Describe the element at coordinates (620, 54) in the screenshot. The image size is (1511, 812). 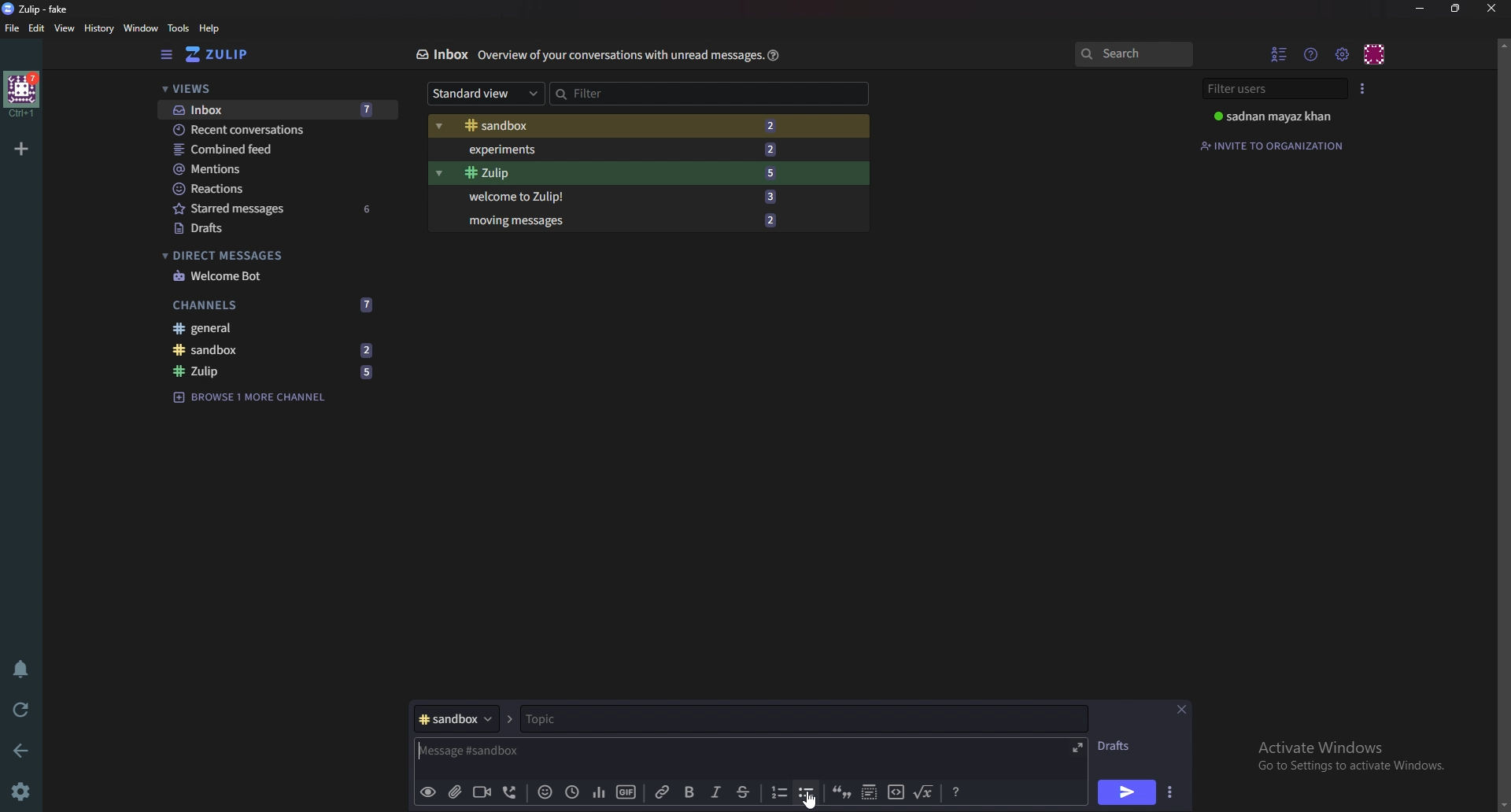
I see `Info` at that location.